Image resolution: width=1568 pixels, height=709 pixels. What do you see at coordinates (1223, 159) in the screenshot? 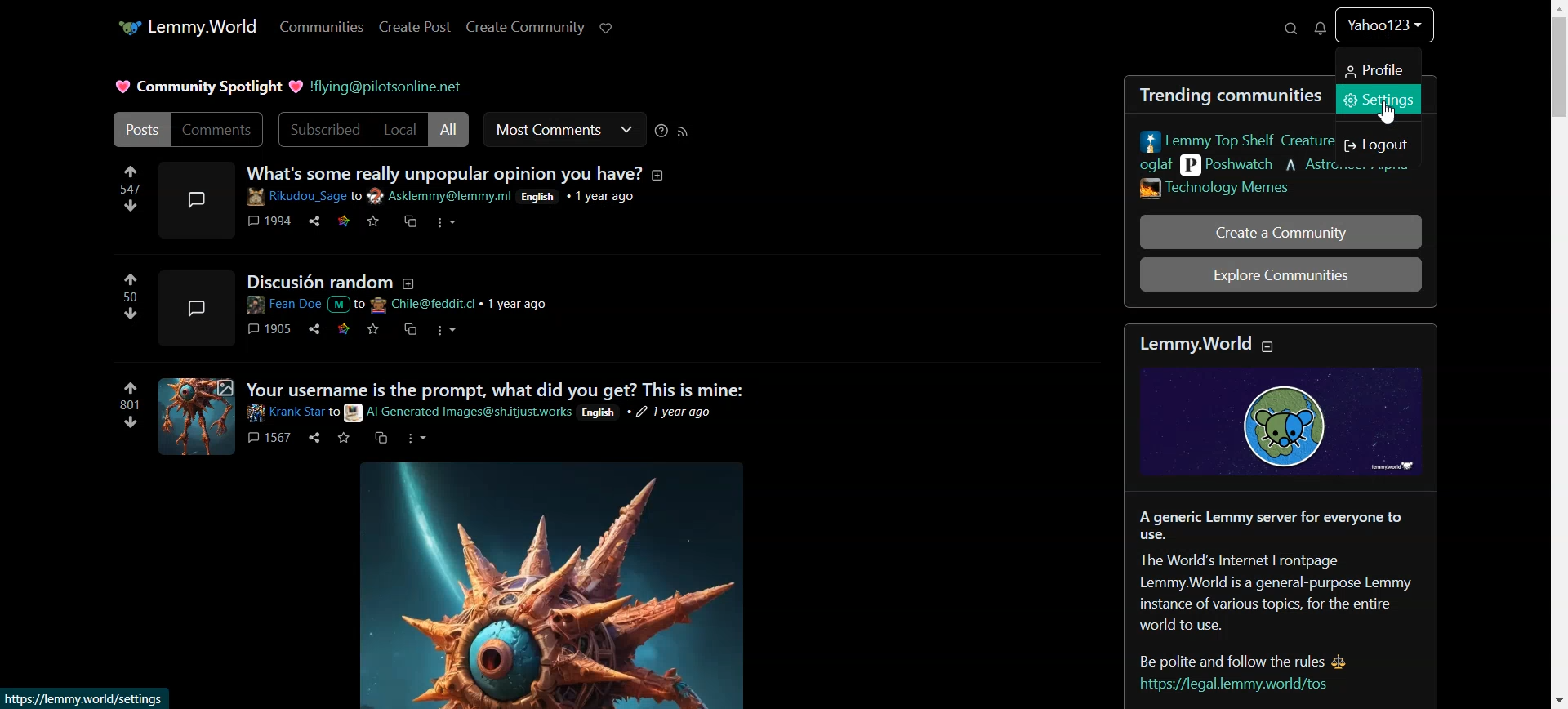
I see `communities section` at bounding box center [1223, 159].